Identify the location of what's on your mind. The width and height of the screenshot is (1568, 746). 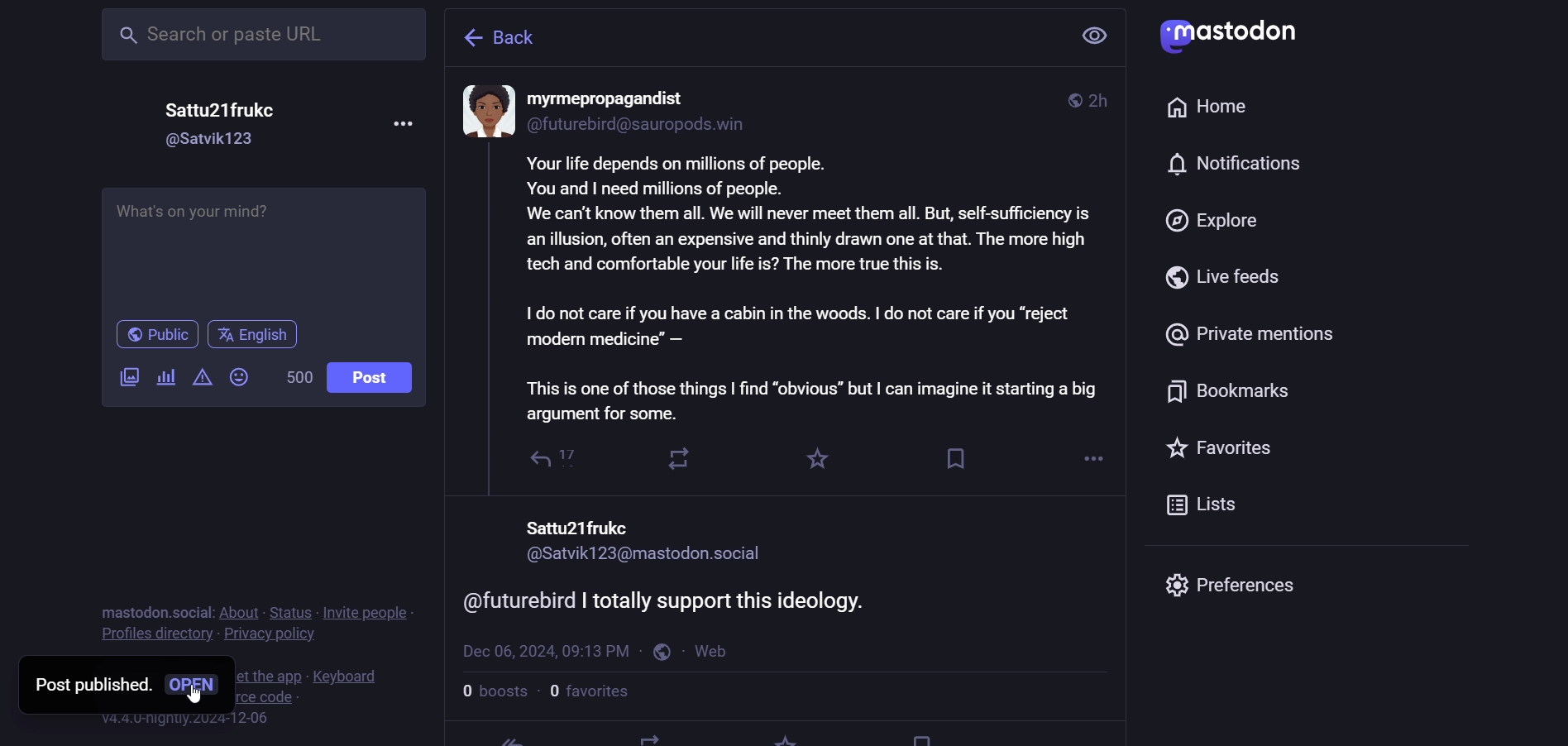
(195, 213).